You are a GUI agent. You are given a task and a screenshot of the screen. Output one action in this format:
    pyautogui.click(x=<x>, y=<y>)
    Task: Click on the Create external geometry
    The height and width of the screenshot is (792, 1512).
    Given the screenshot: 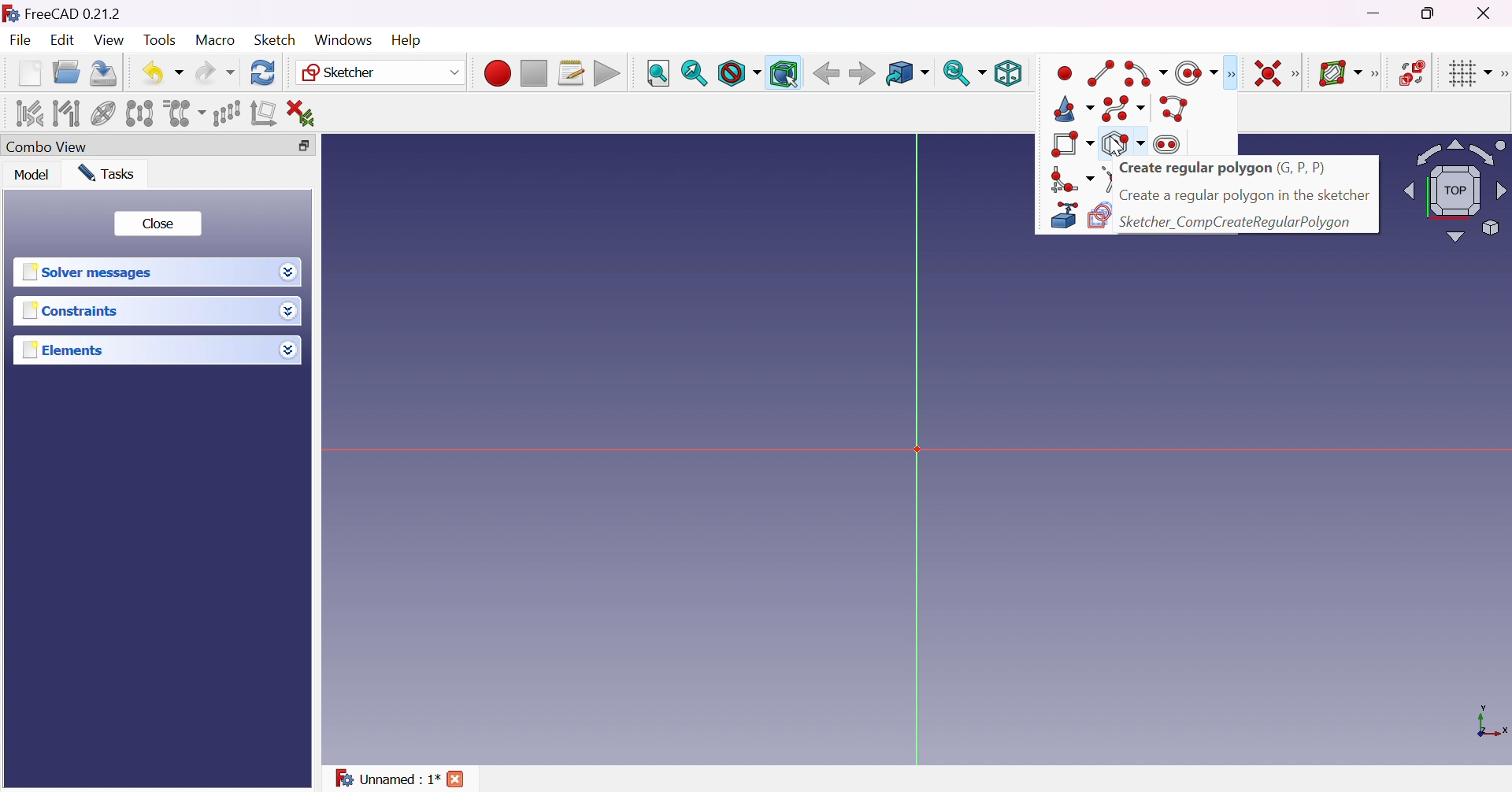 What is the action you would take?
    pyautogui.click(x=1062, y=217)
    